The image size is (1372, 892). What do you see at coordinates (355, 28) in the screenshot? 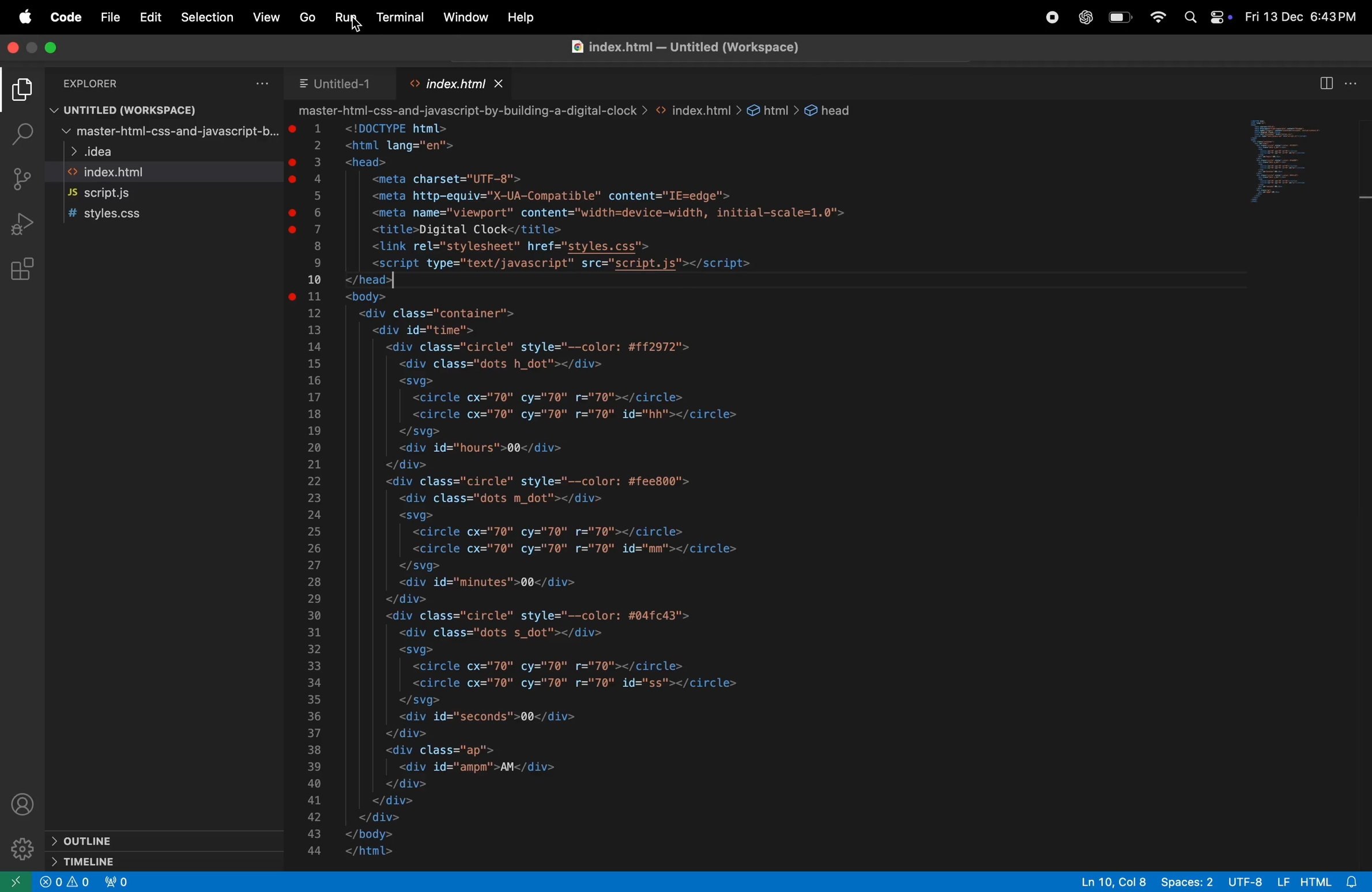
I see `cursor` at bounding box center [355, 28].